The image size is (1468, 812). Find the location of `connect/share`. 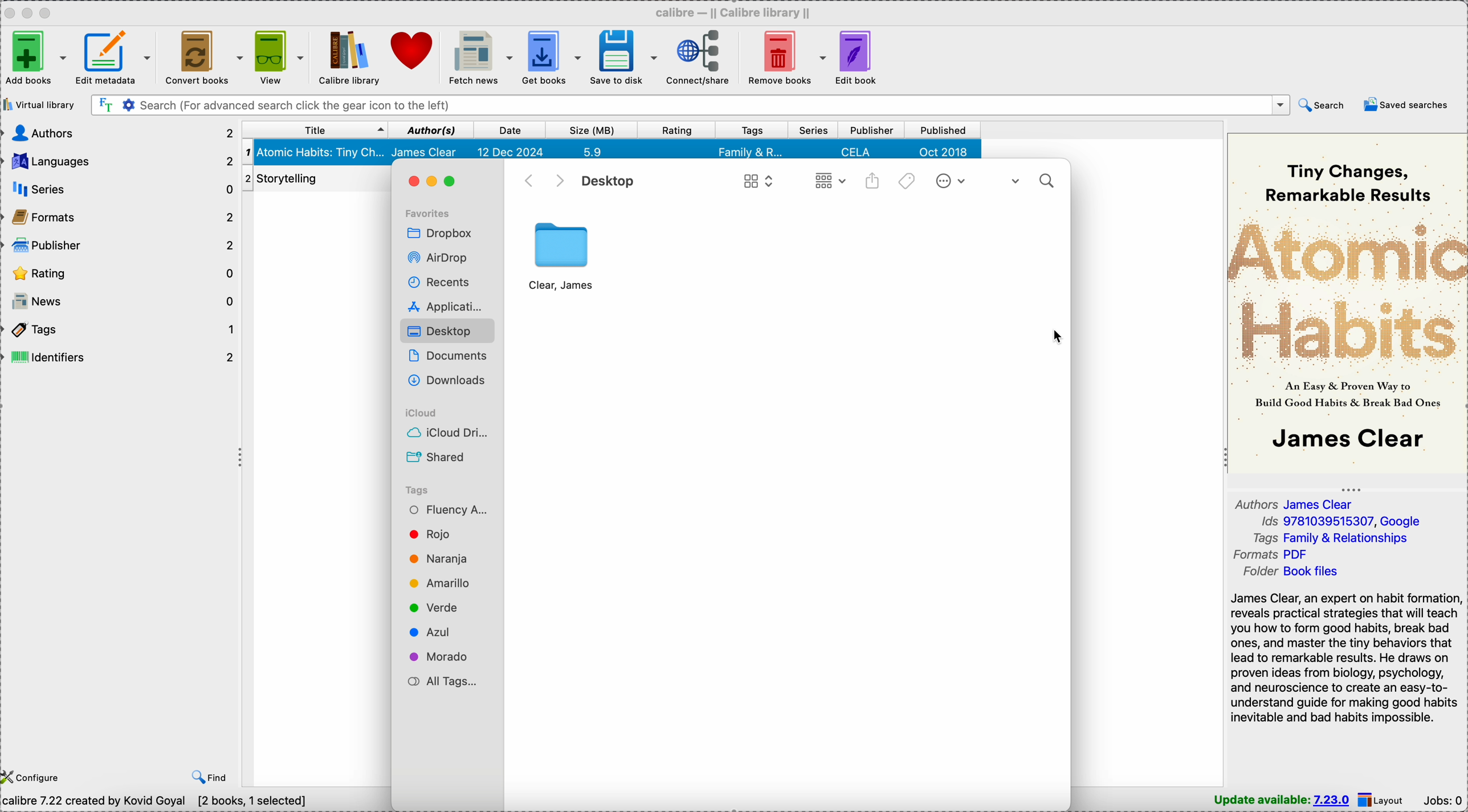

connect/share is located at coordinates (695, 57).